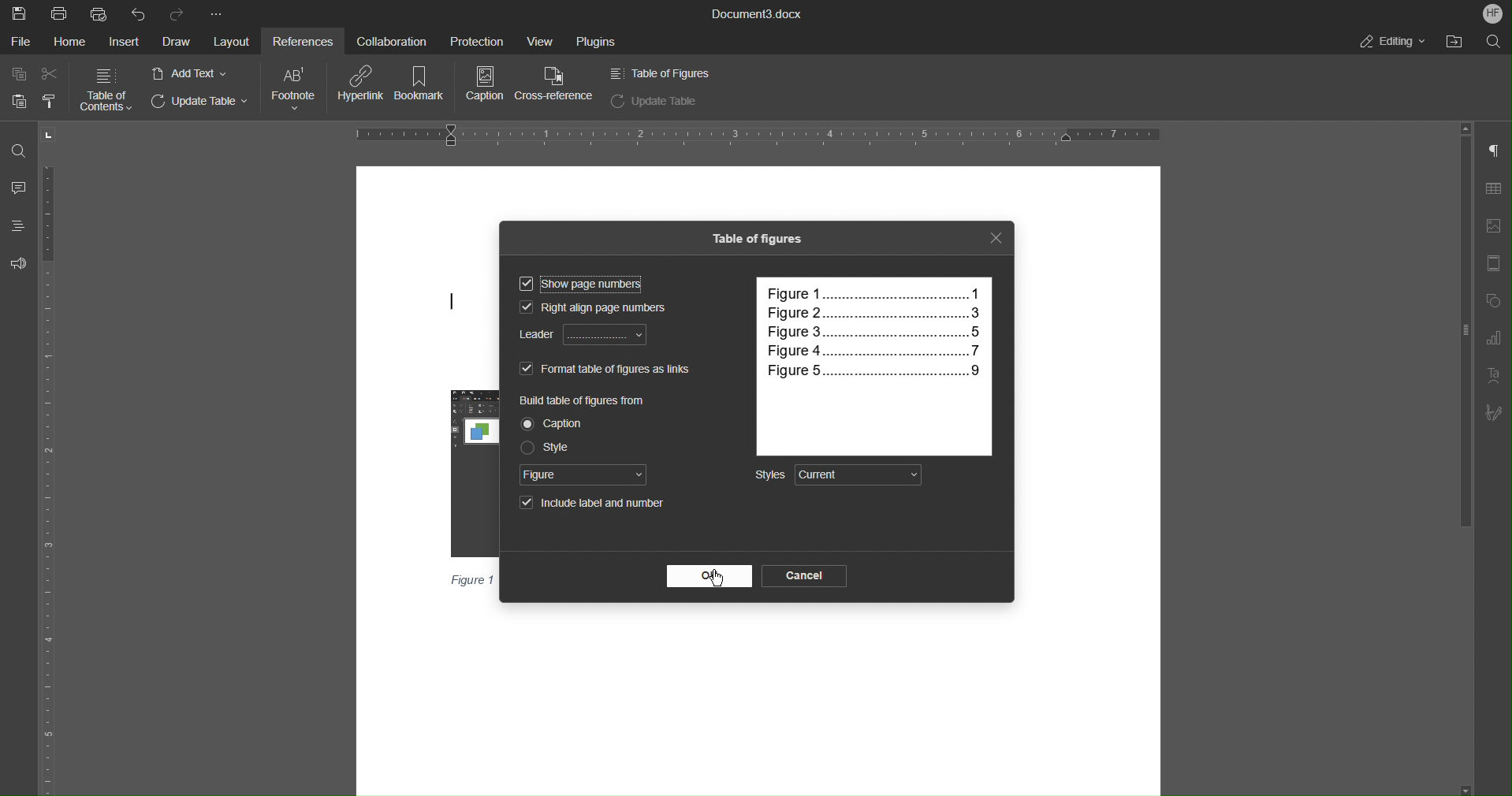 This screenshot has height=796, width=1512. I want to click on Copy, so click(20, 74).